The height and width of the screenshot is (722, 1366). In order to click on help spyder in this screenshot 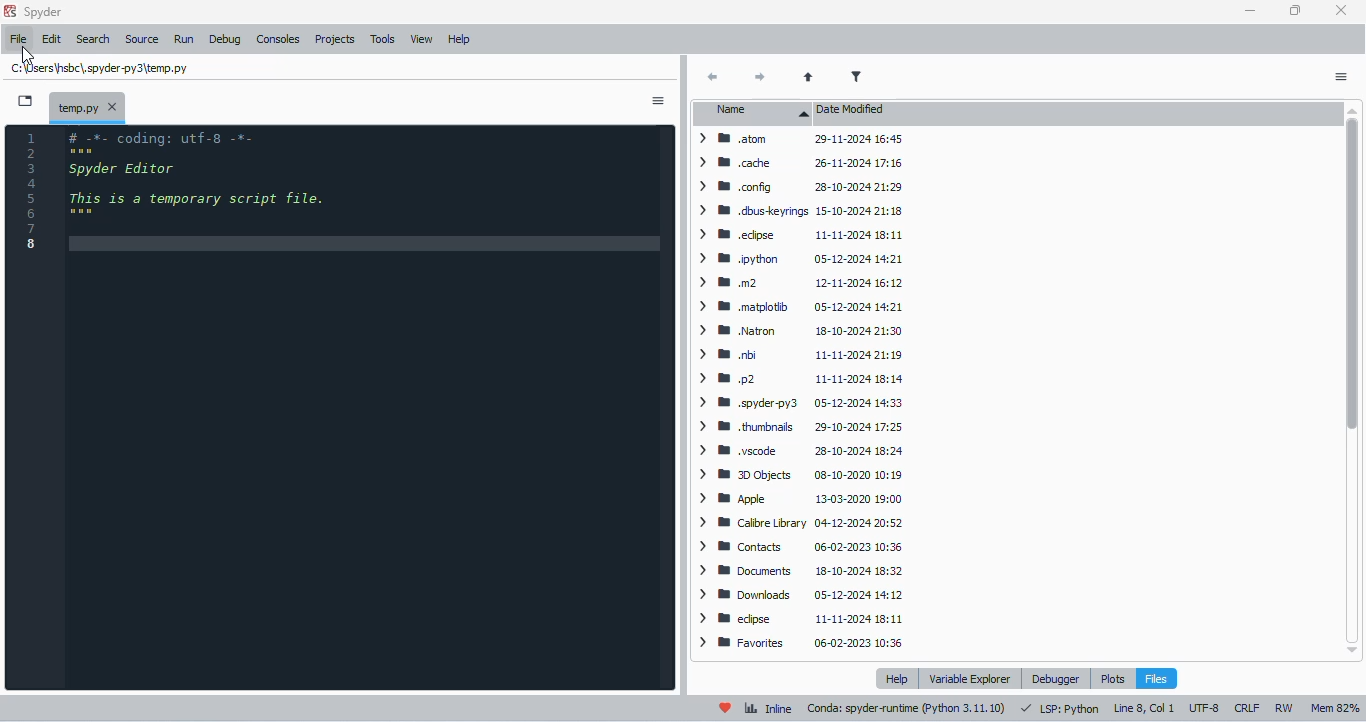, I will do `click(726, 708)`.